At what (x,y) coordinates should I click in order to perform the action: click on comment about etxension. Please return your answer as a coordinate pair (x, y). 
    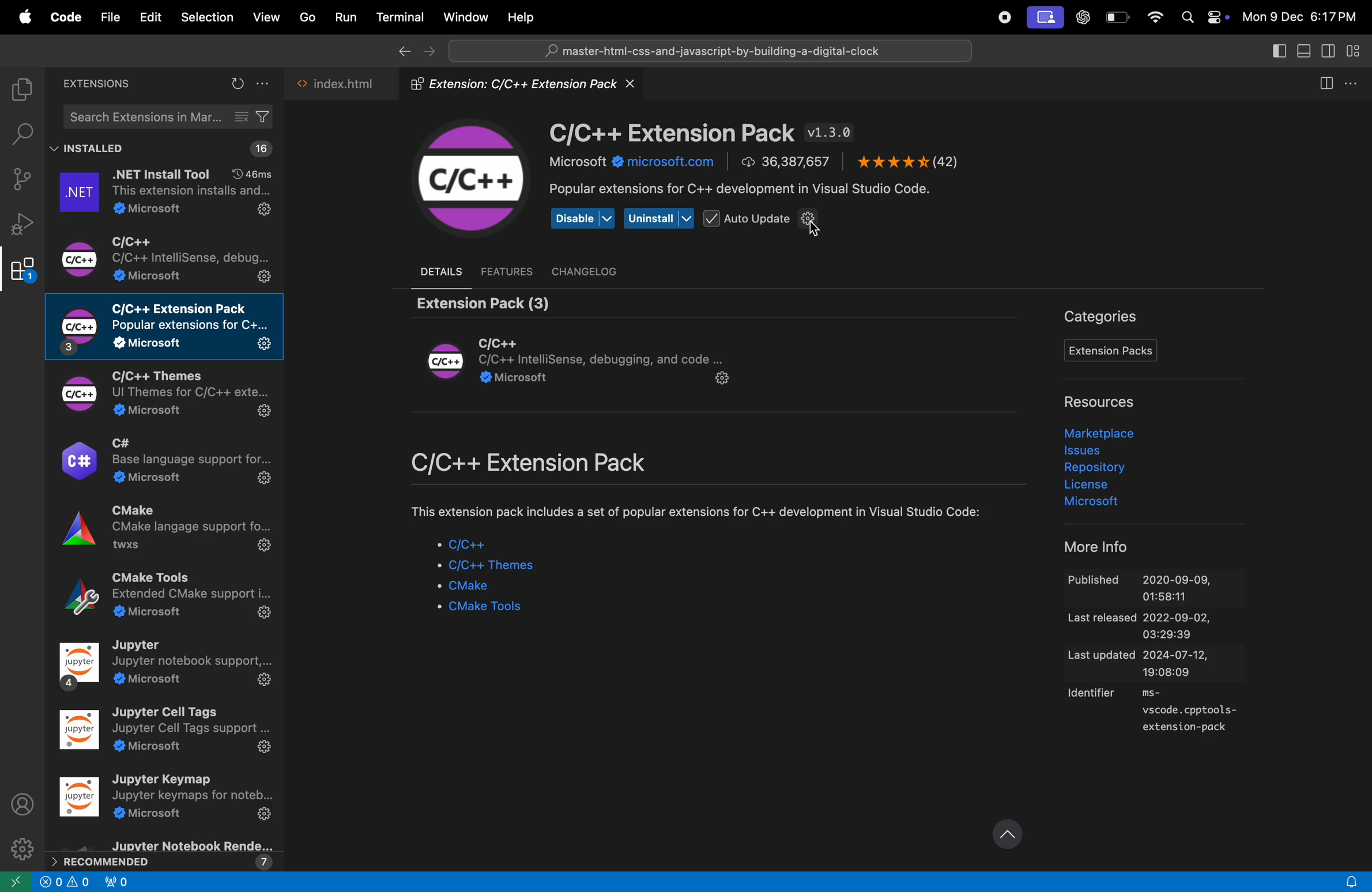
    Looking at the image, I should click on (696, 513).